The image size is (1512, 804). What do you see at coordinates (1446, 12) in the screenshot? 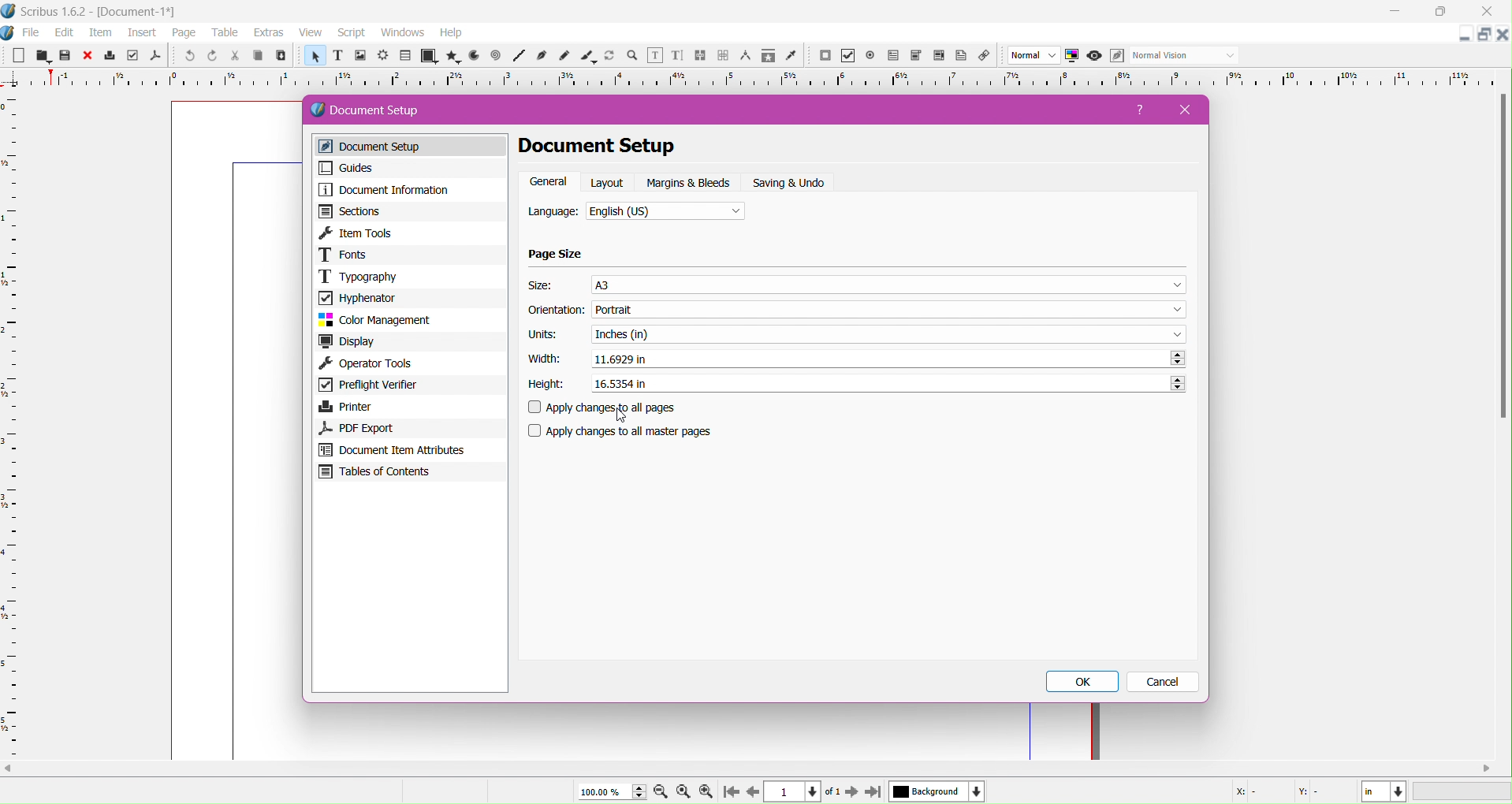
I see `maximize` at bounding box center [1446, 12].